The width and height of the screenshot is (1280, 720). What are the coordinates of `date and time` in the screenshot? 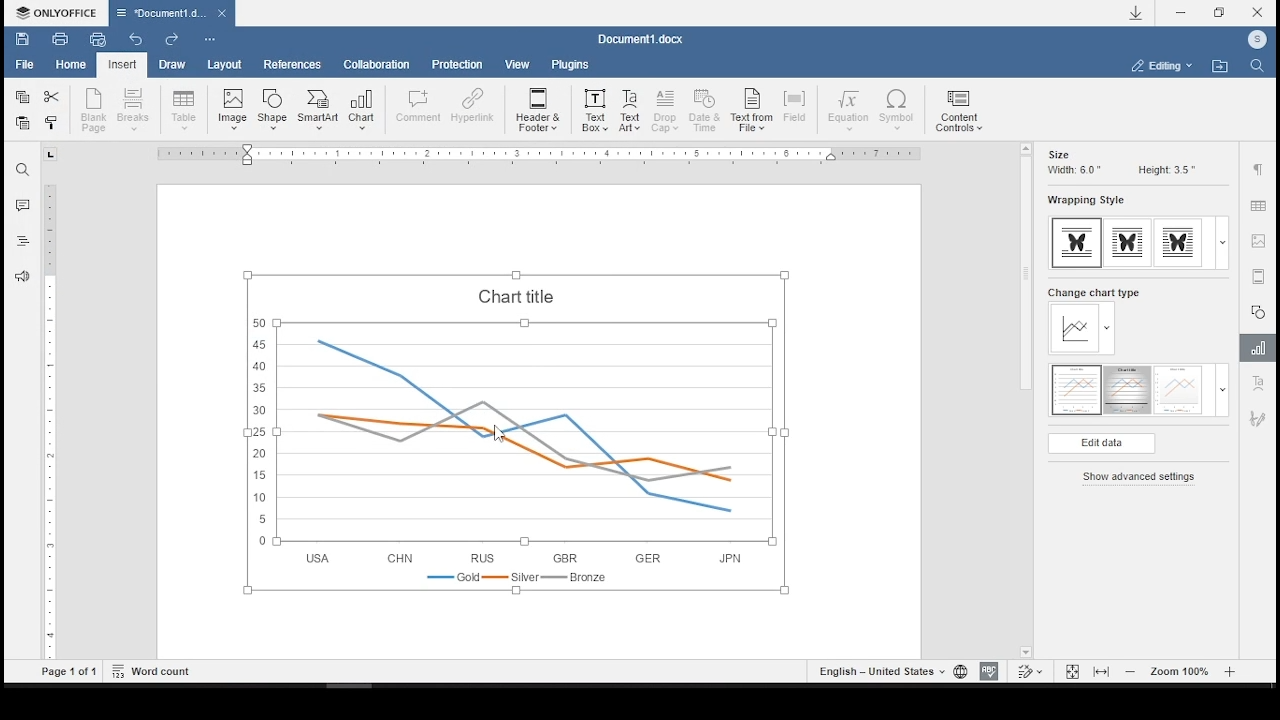 It's located at (706, 111).